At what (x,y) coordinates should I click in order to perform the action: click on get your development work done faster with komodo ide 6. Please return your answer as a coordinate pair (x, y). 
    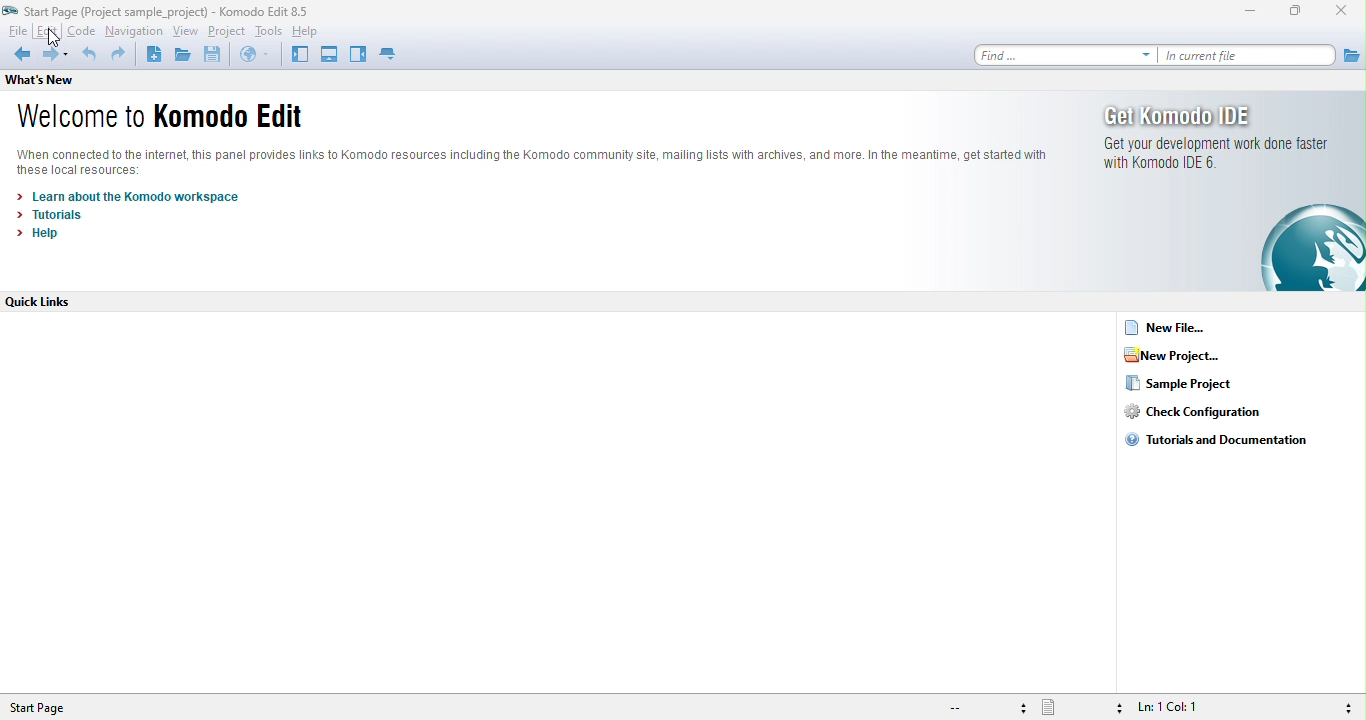
    Looking at the image, I should click on (1220, 158).